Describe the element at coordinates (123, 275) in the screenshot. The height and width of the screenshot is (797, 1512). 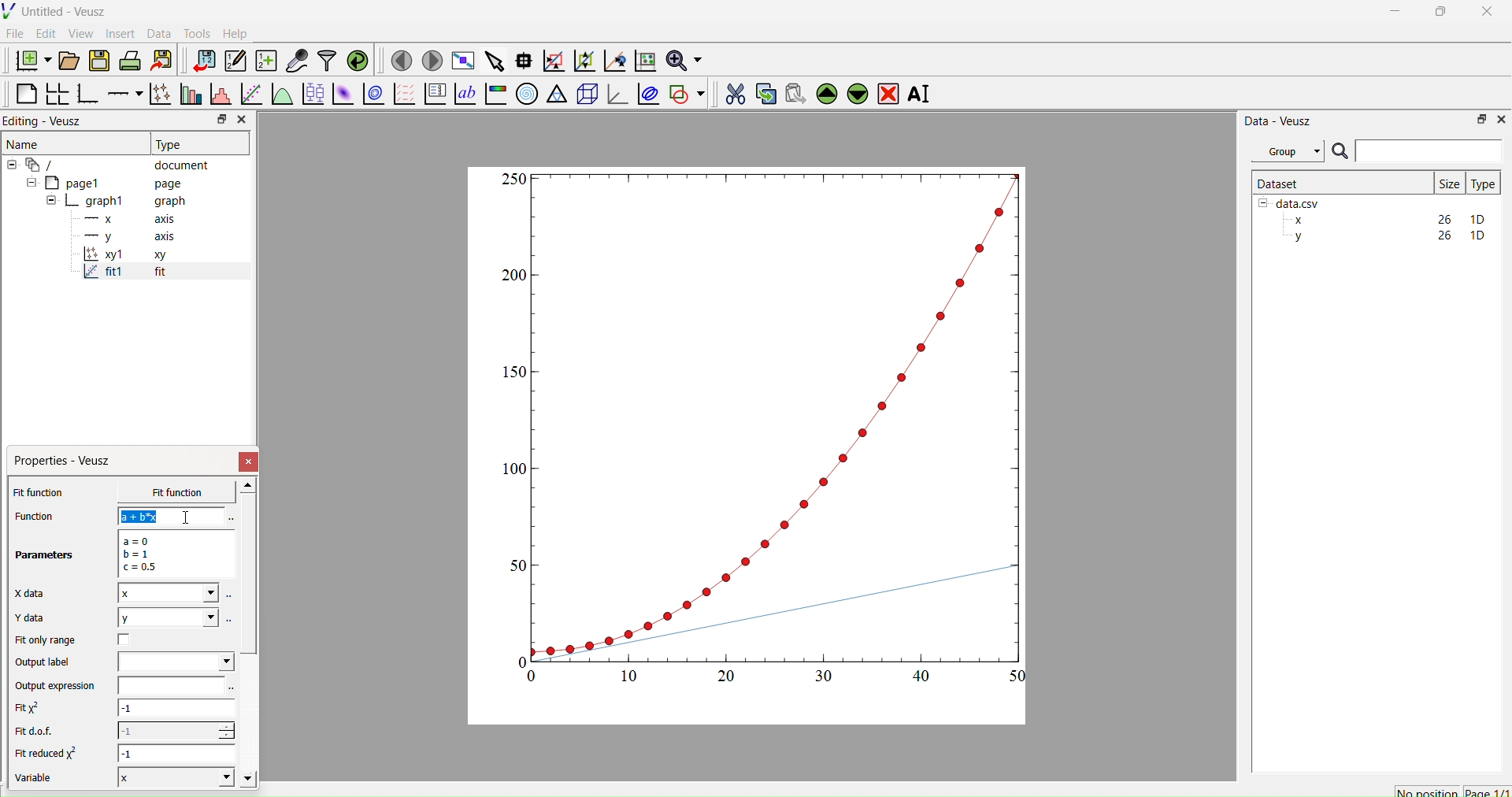
I see `fit1 fit` at that location.